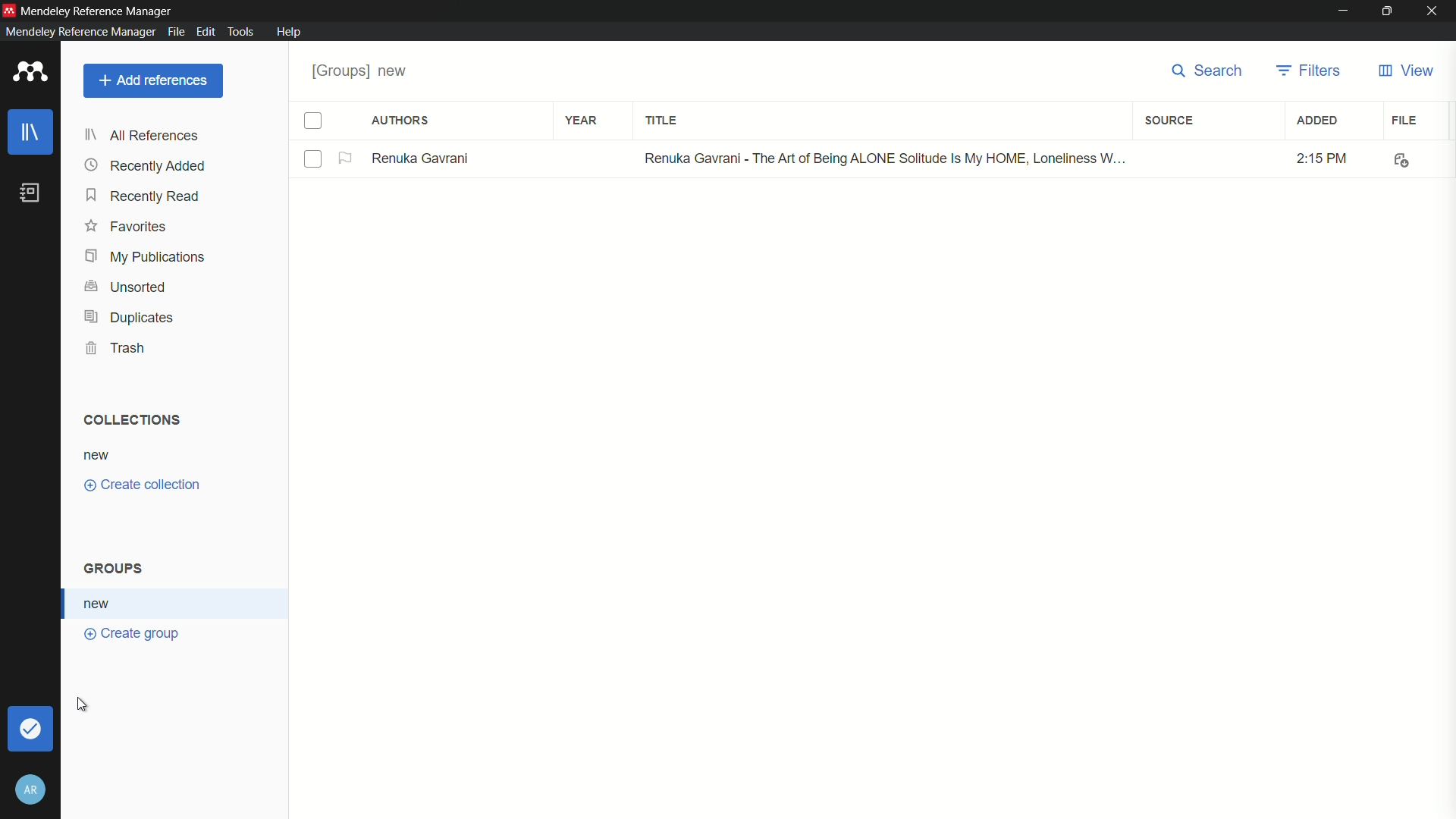 The width and height of the screenshot is (1456, 819). Describe the element at coordinates (28, 728) in the screenshot. I see `synced` at that location.